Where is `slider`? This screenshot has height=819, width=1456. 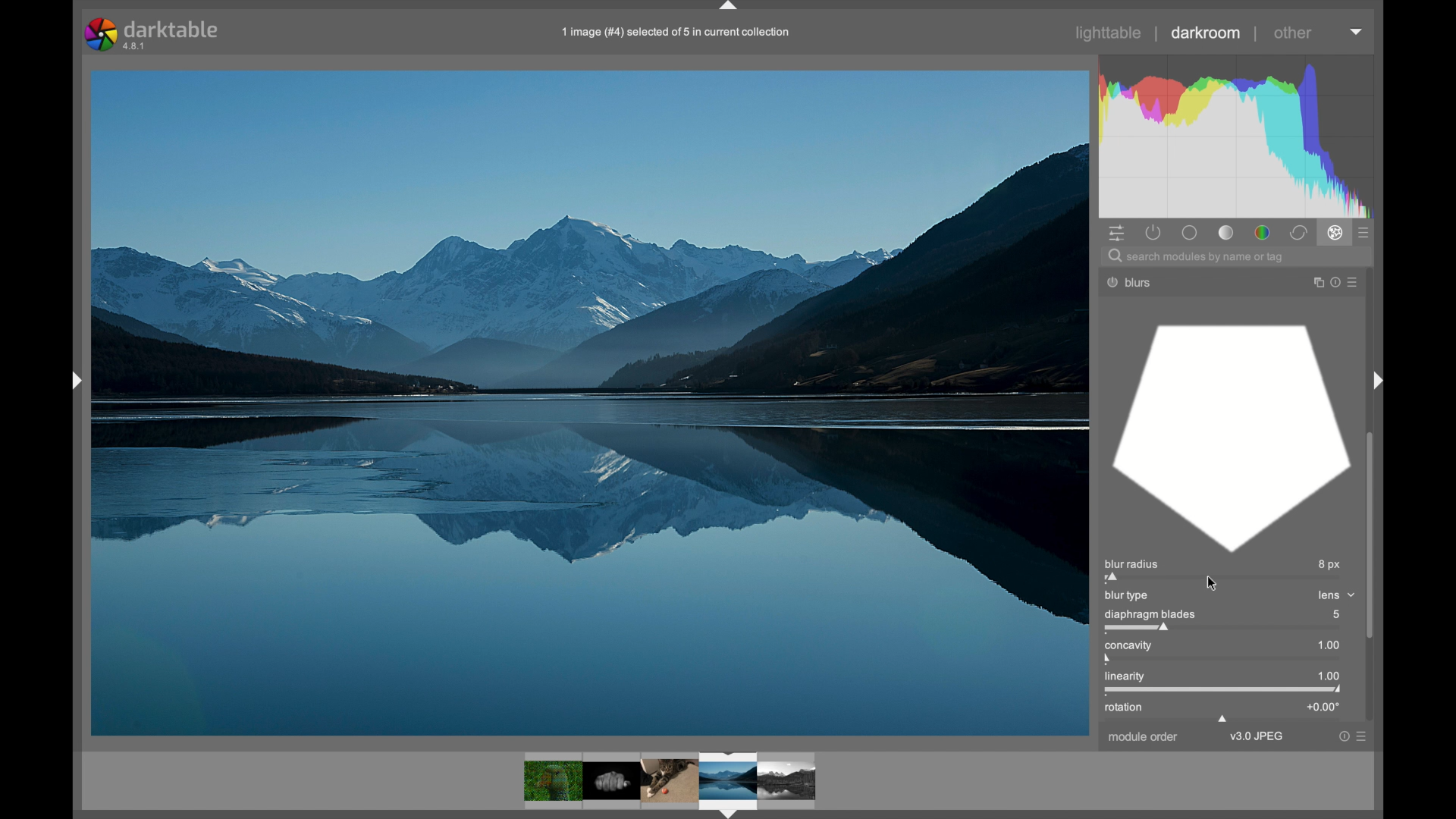 slider is located at coordinates (1221, 579).